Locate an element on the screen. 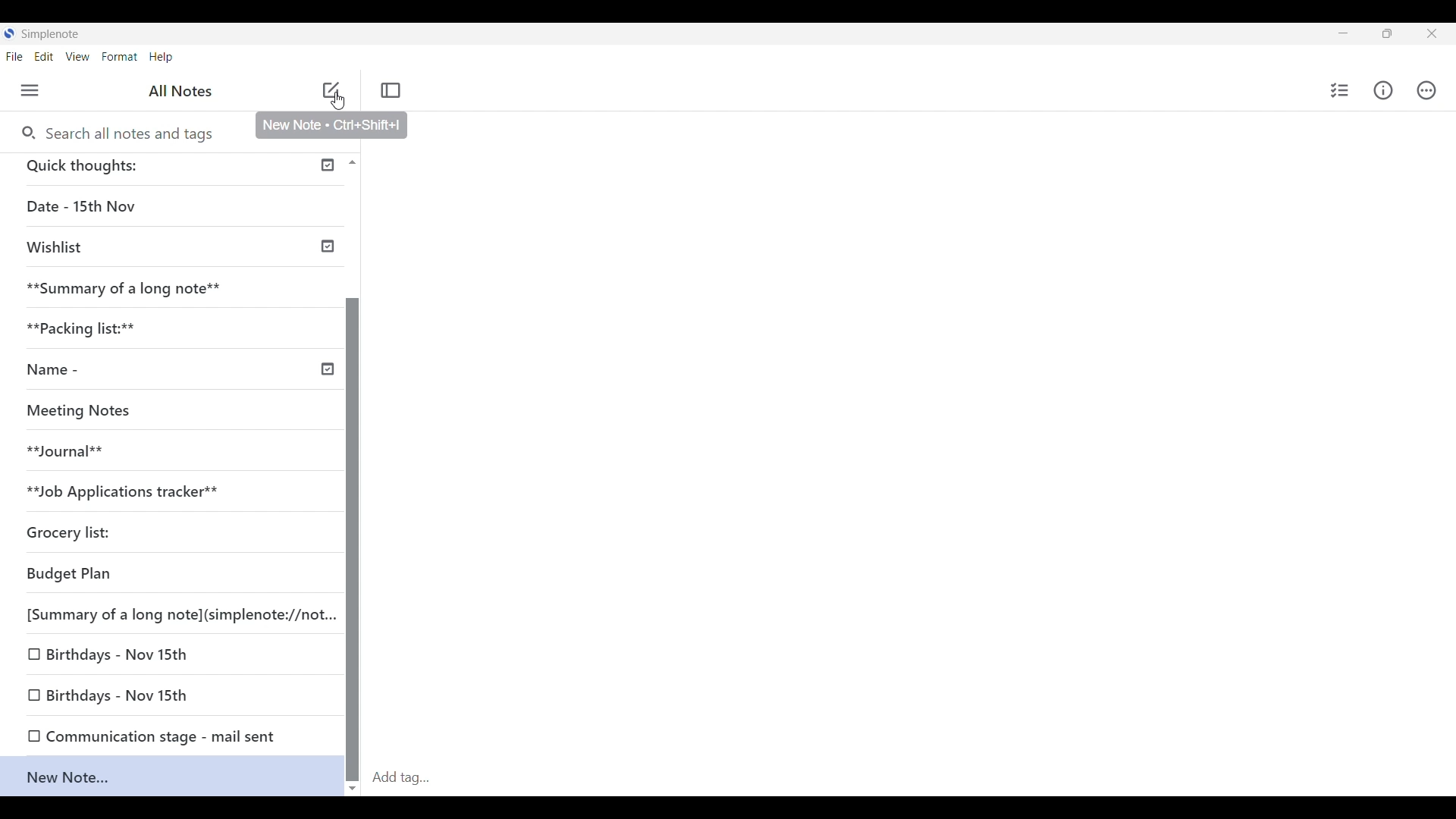 The width and height of the screenshot is (1456, 819). Name - is located at coordinates (177, 369).